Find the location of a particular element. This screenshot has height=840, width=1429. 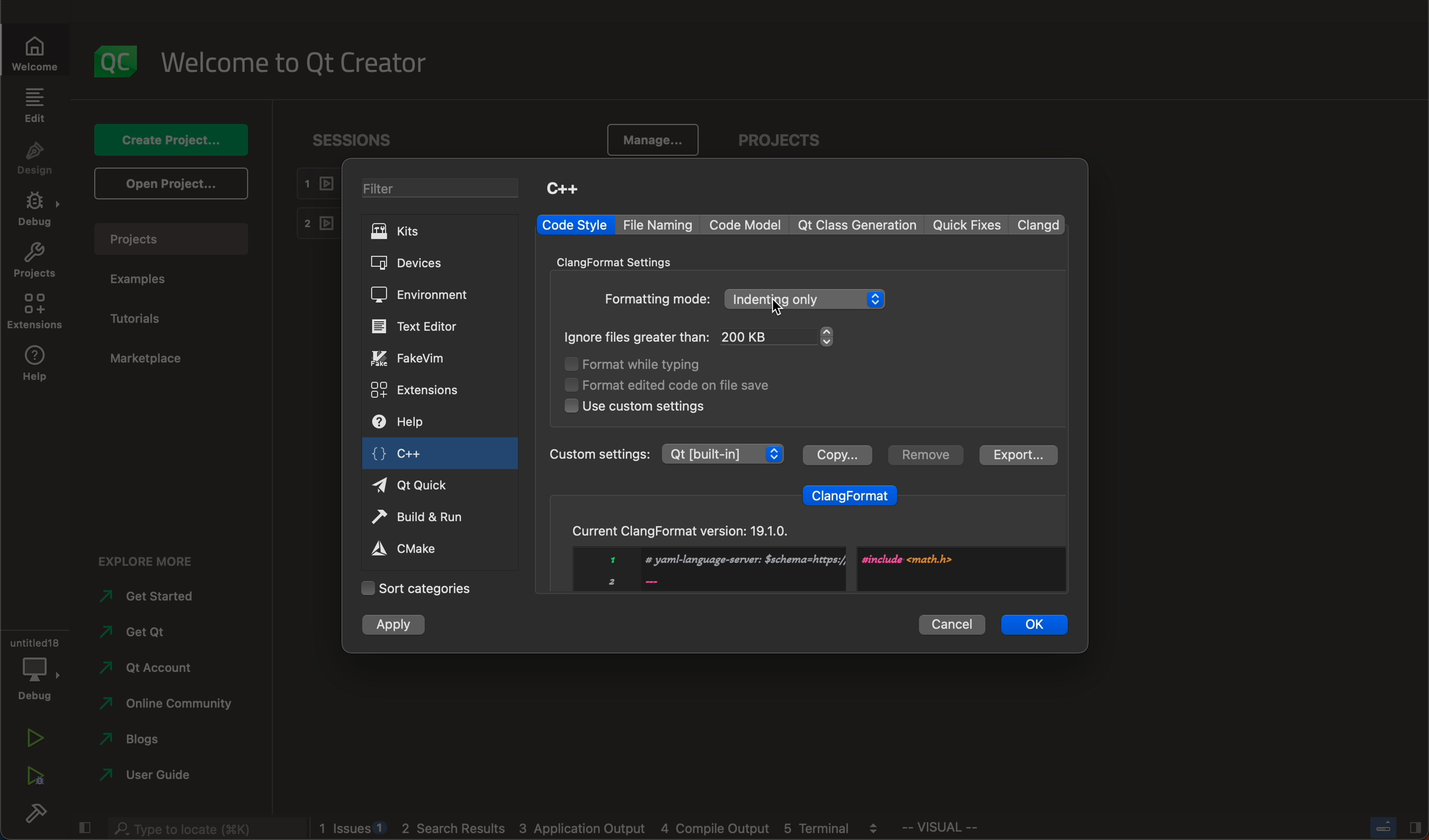

kits is located at coordinates (438, 231).